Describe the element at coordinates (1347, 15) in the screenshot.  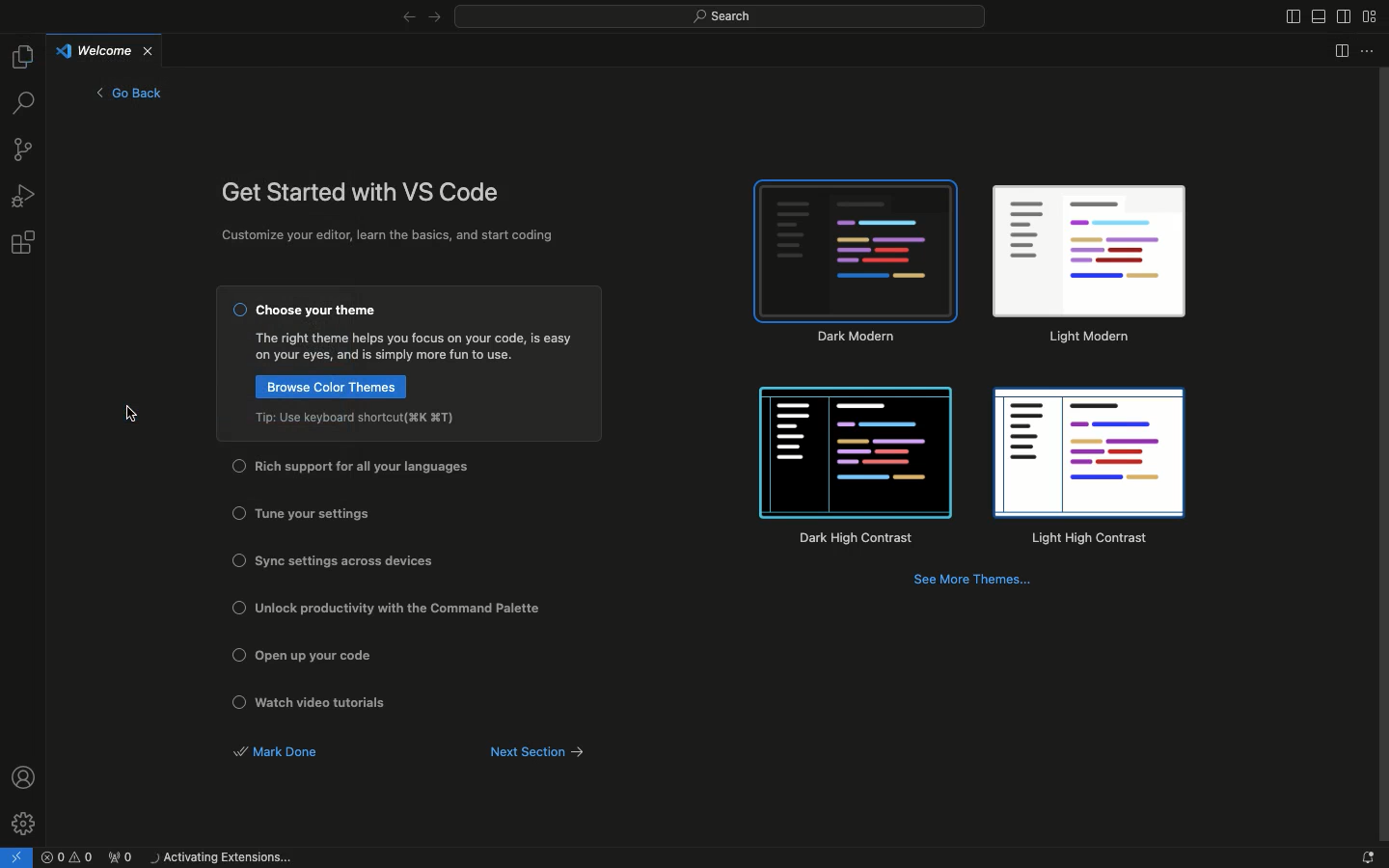
I see `secondary side bar` at that location.